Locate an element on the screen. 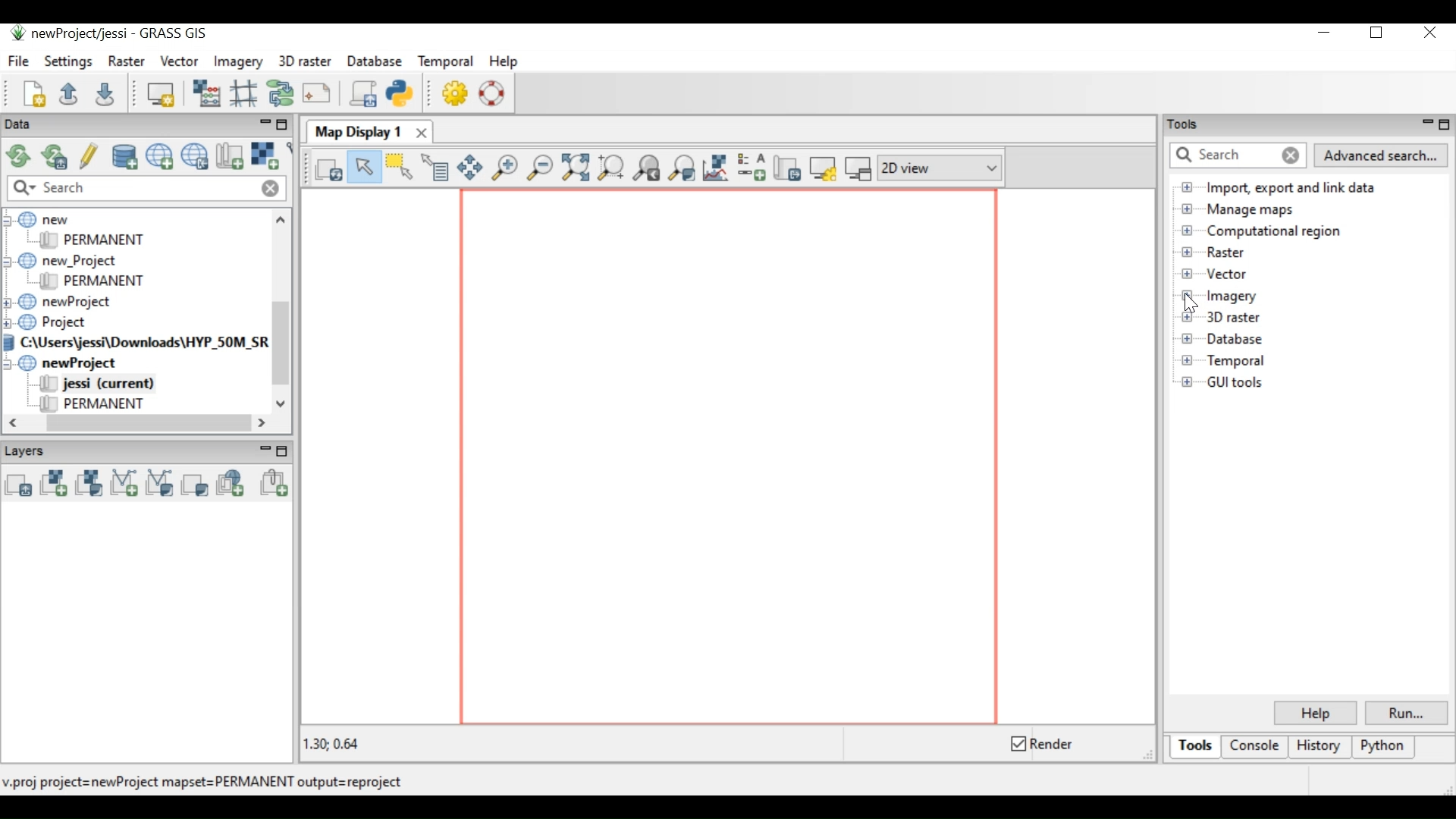 The height and width of the screenshot is (819, 1456). Manage maps is located at coordinates (1247, 209).